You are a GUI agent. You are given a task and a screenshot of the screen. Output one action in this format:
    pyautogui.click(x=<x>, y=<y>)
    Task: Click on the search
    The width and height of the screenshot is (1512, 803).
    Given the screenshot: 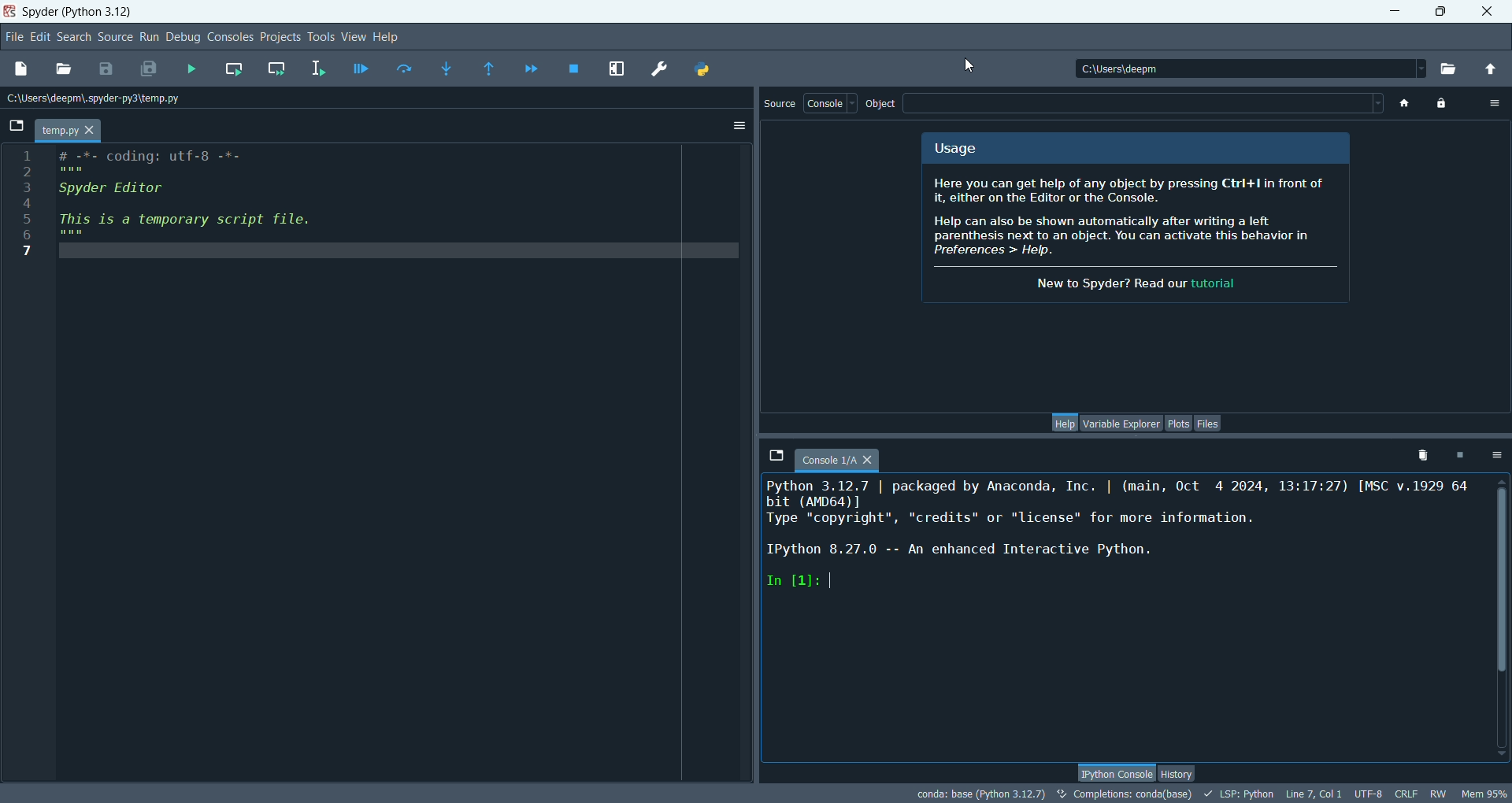 What is the action you would take?
    pyautogui.click(x=73, y=38)
    